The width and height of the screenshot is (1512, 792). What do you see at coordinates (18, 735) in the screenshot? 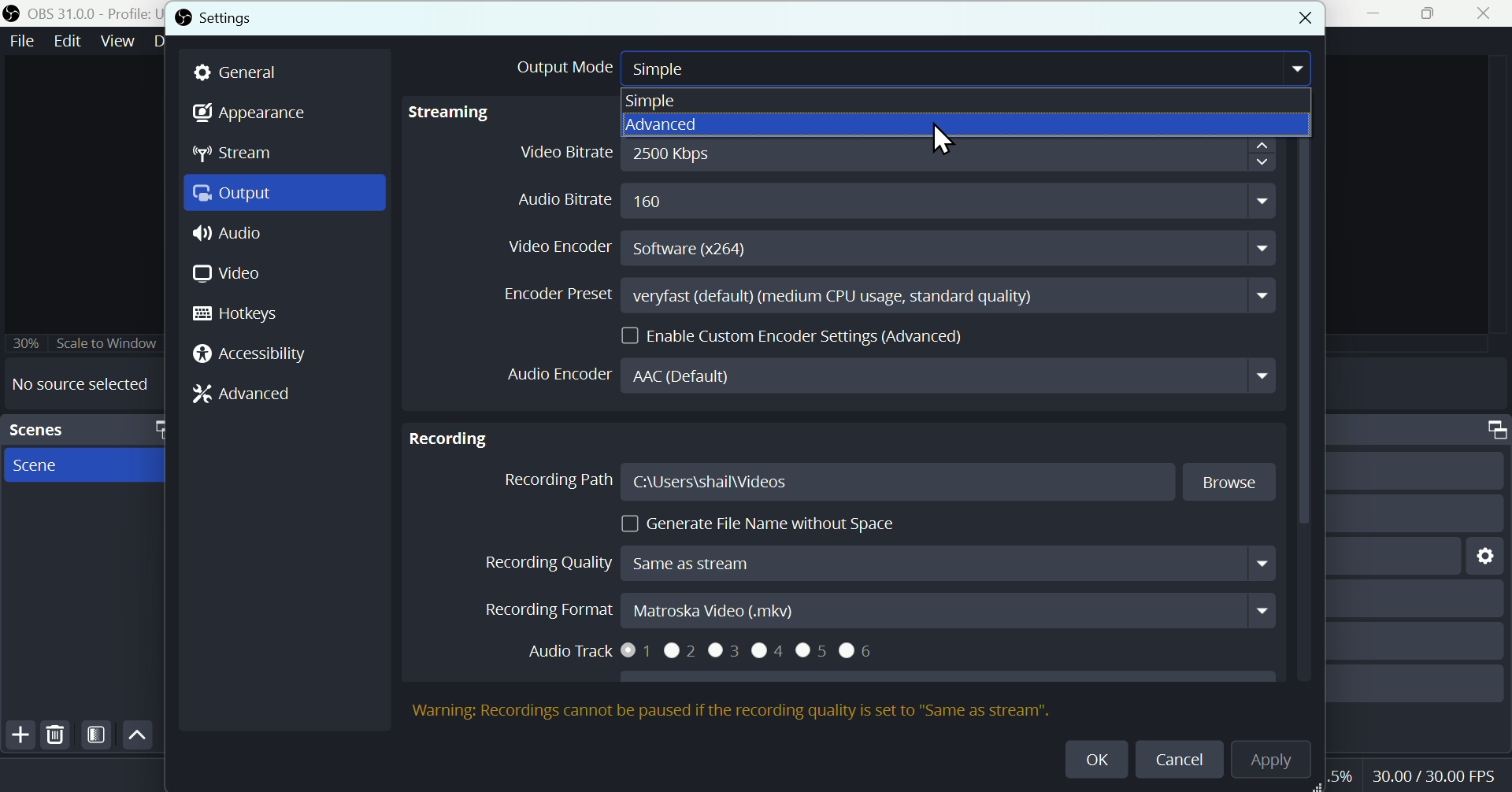
I see `Add` at bounding box center [18, 735].